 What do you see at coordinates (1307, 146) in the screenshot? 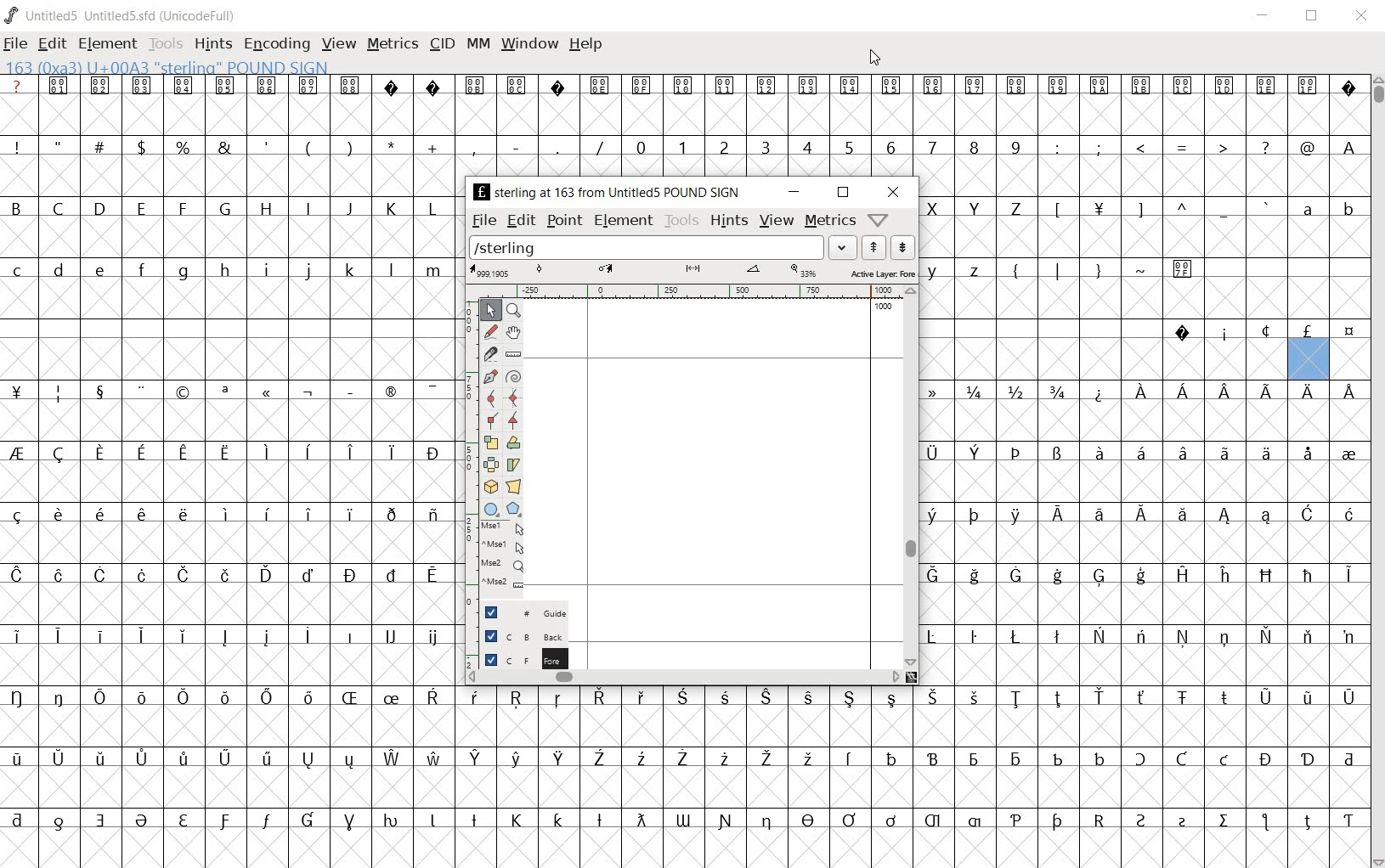
I see `@` at bounding box center [1307, 146].